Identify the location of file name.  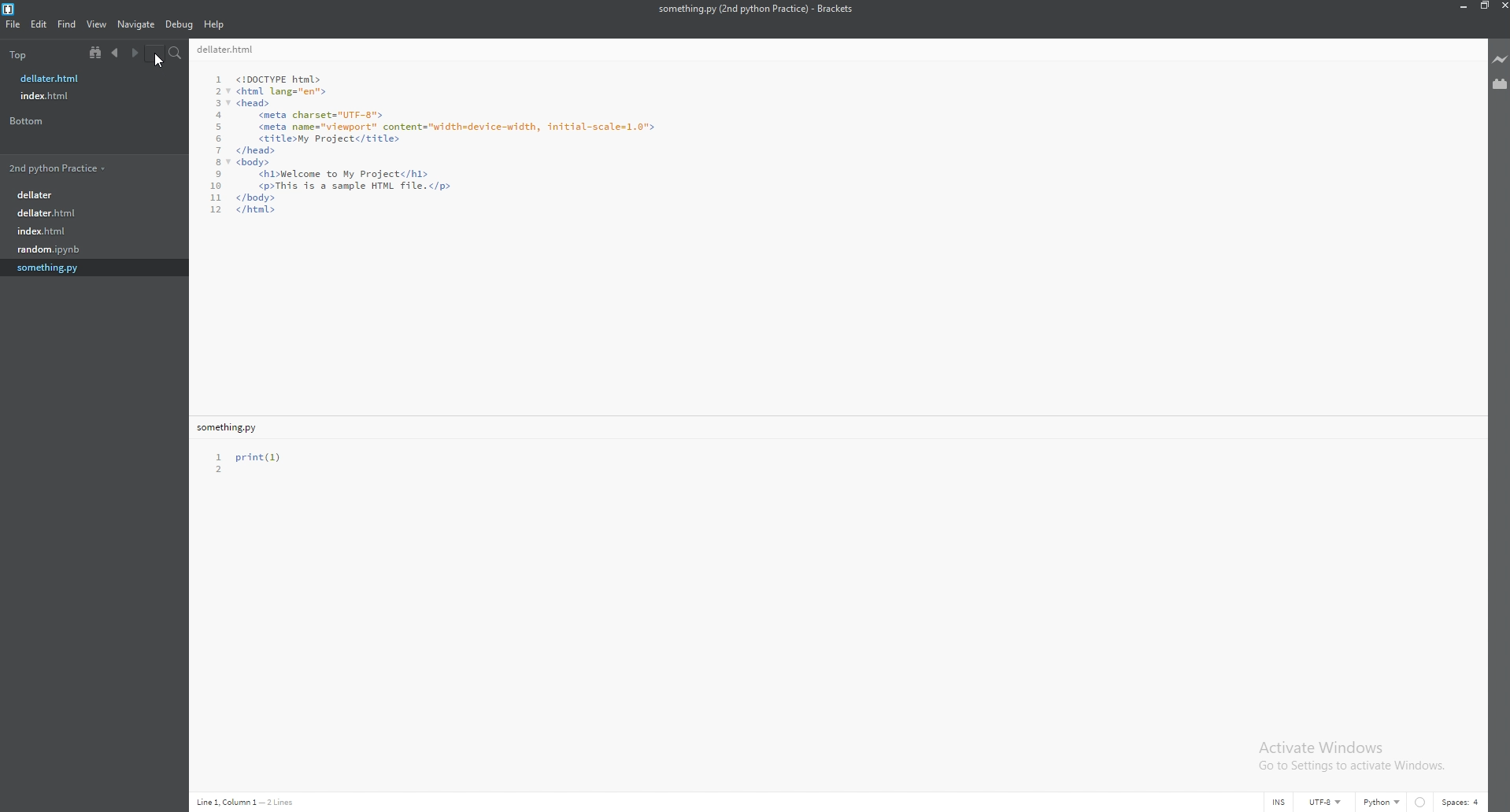
(230, 49).